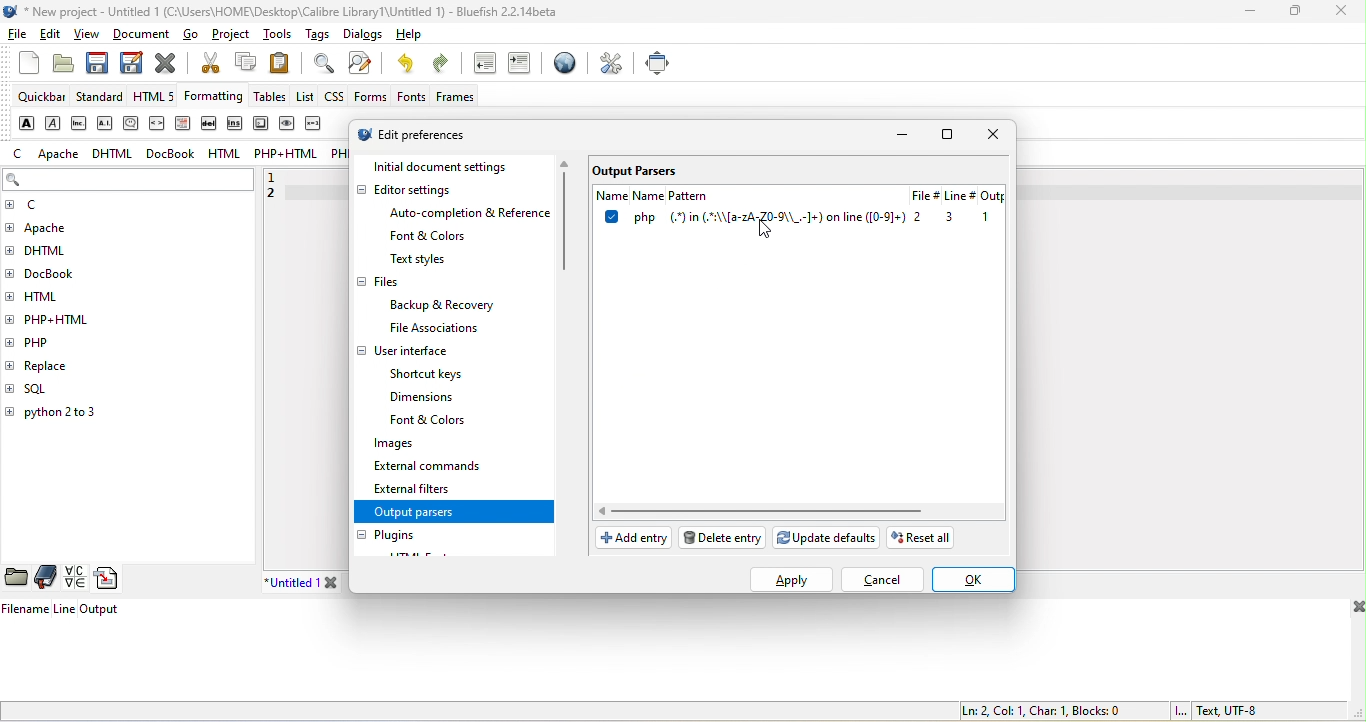  Describe the element at coordinates (97, 63) in the screenshot. I see `save` at that location.